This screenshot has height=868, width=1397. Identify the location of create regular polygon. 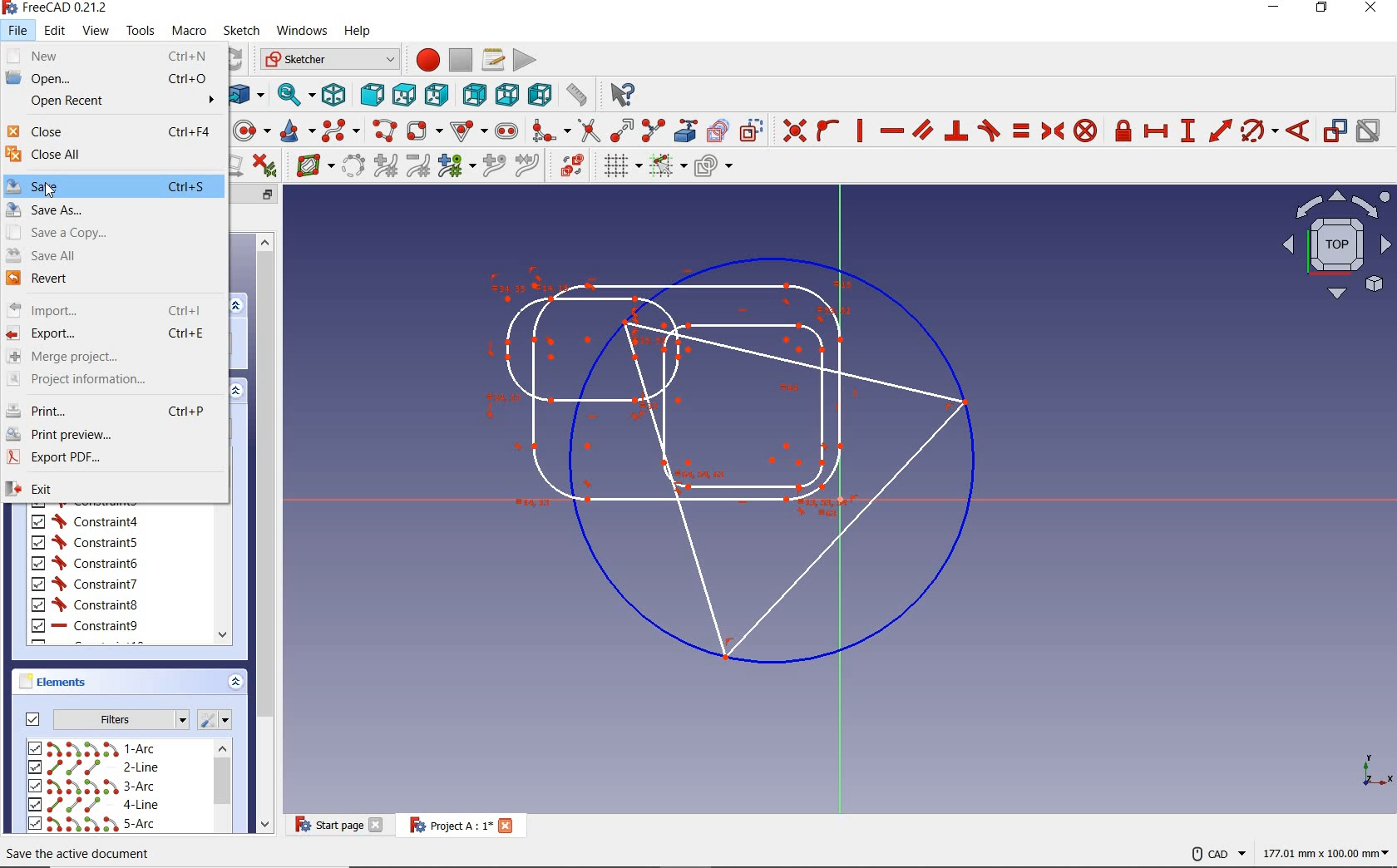
(467, 128).